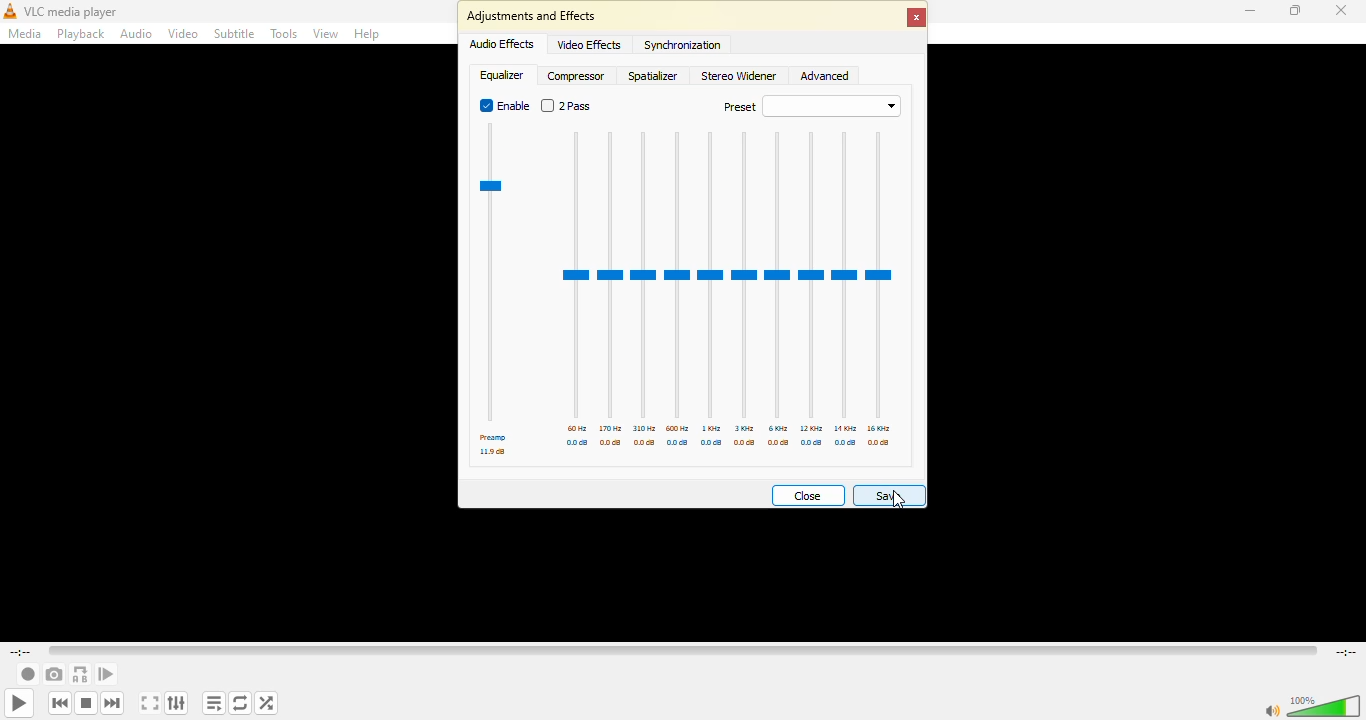  I want to click on close, so click(1345, 10).